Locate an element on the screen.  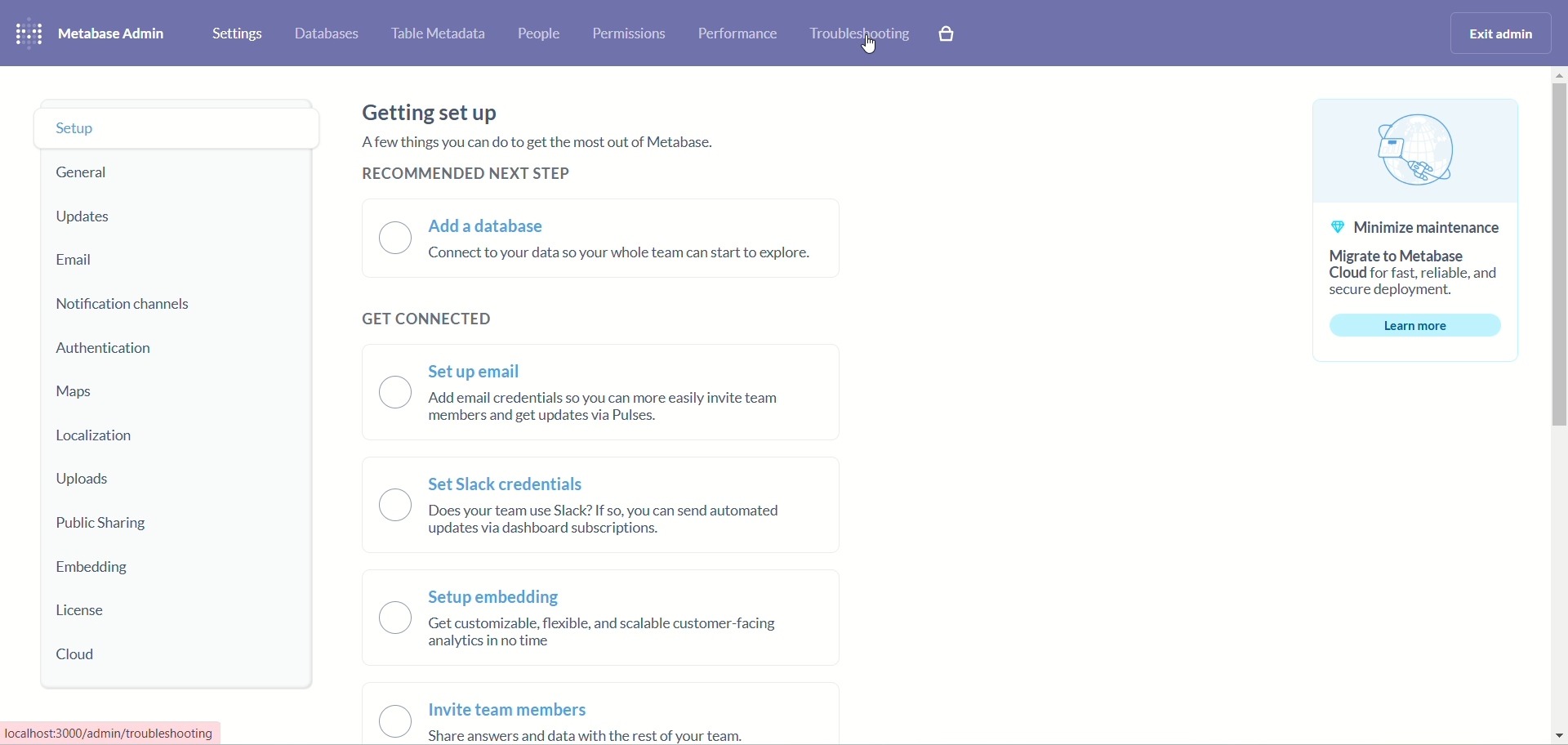
text is located at coordinates (567, 156).